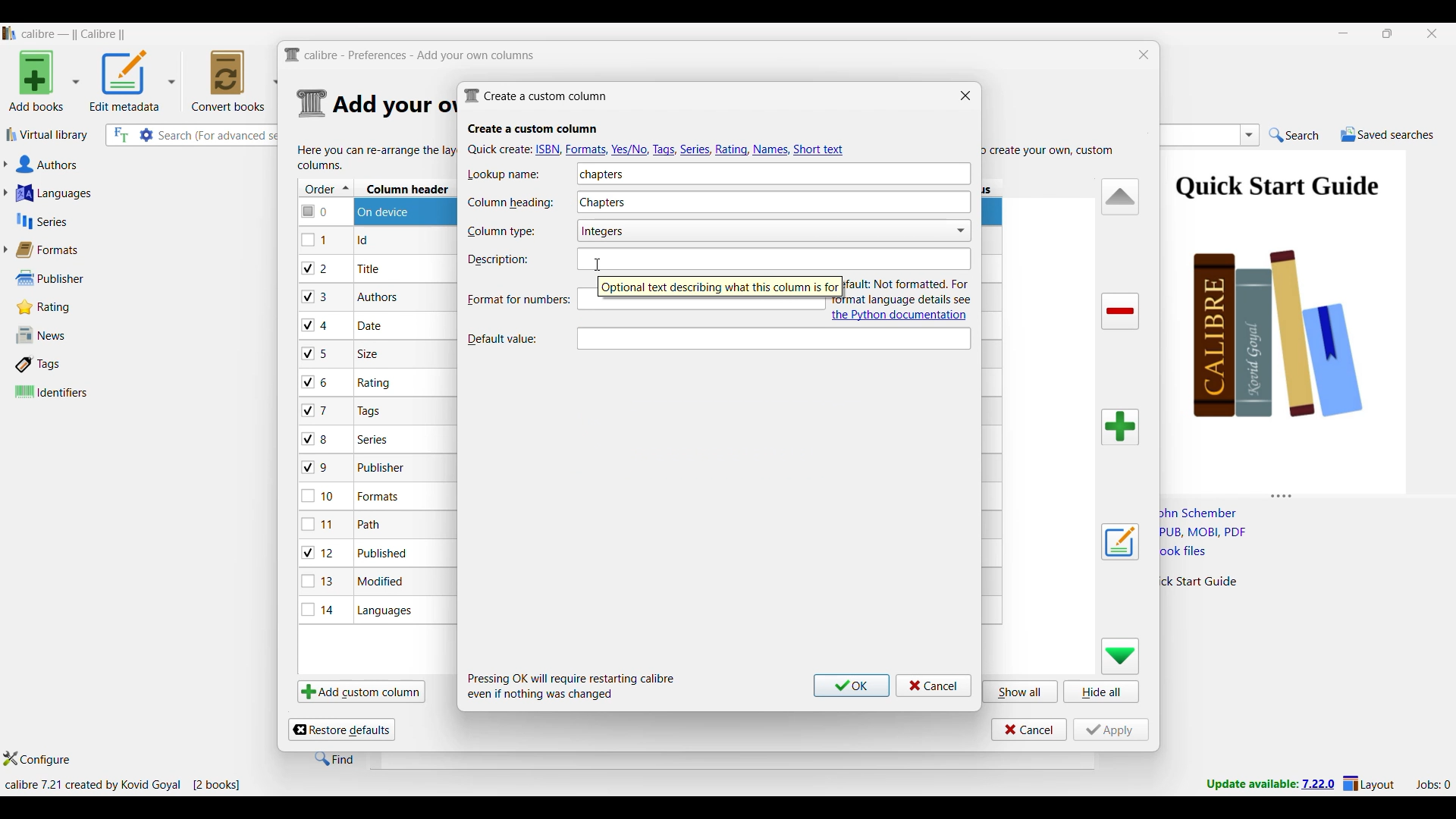 The width and height of the screenshot is (1456, 819). What do you see at coordinates (1111, 730) in the screenshot?
I see `Apply` at bounding box center [1111, 730].